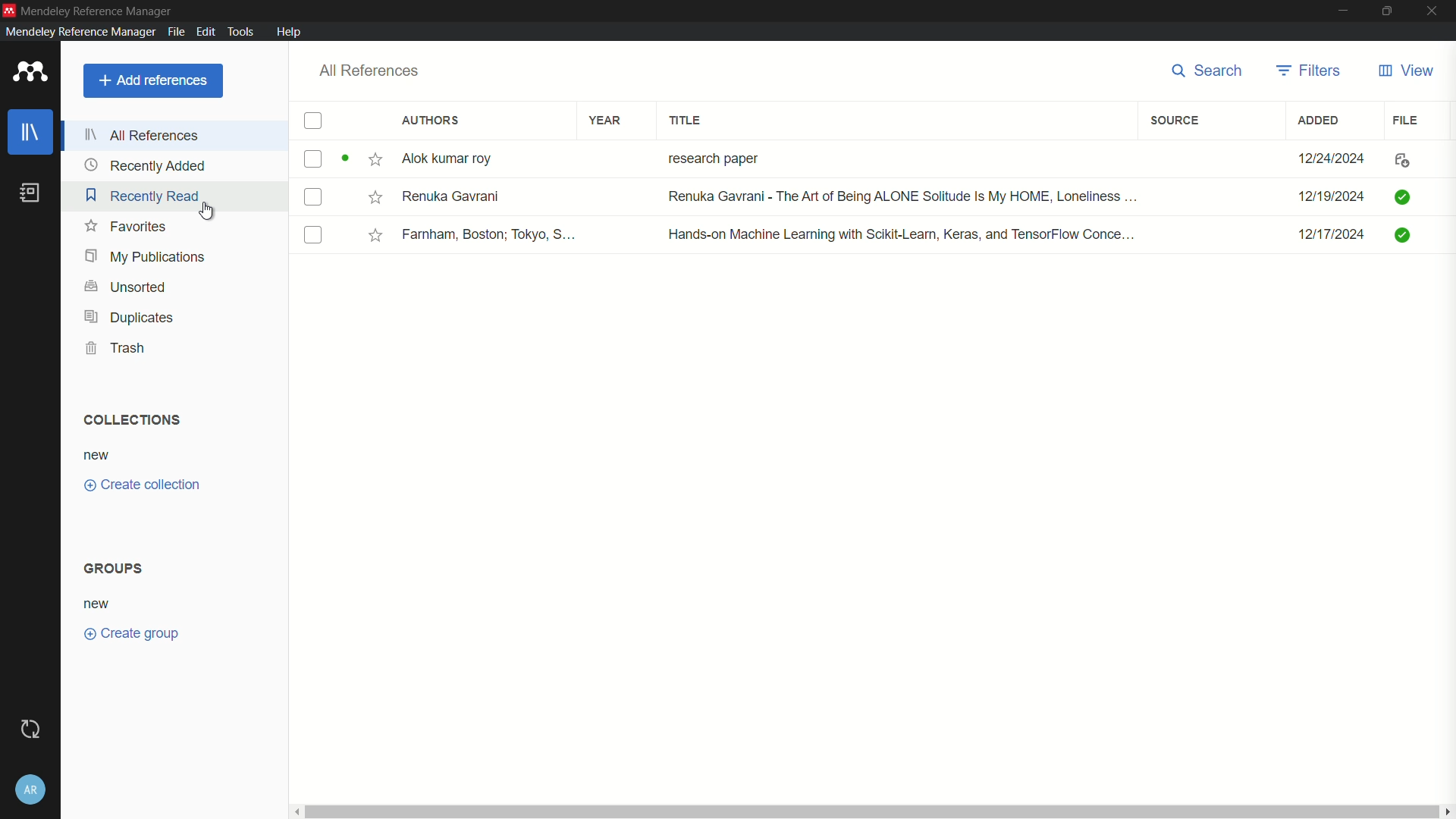  I want to click on app icon, so click(9, 9).